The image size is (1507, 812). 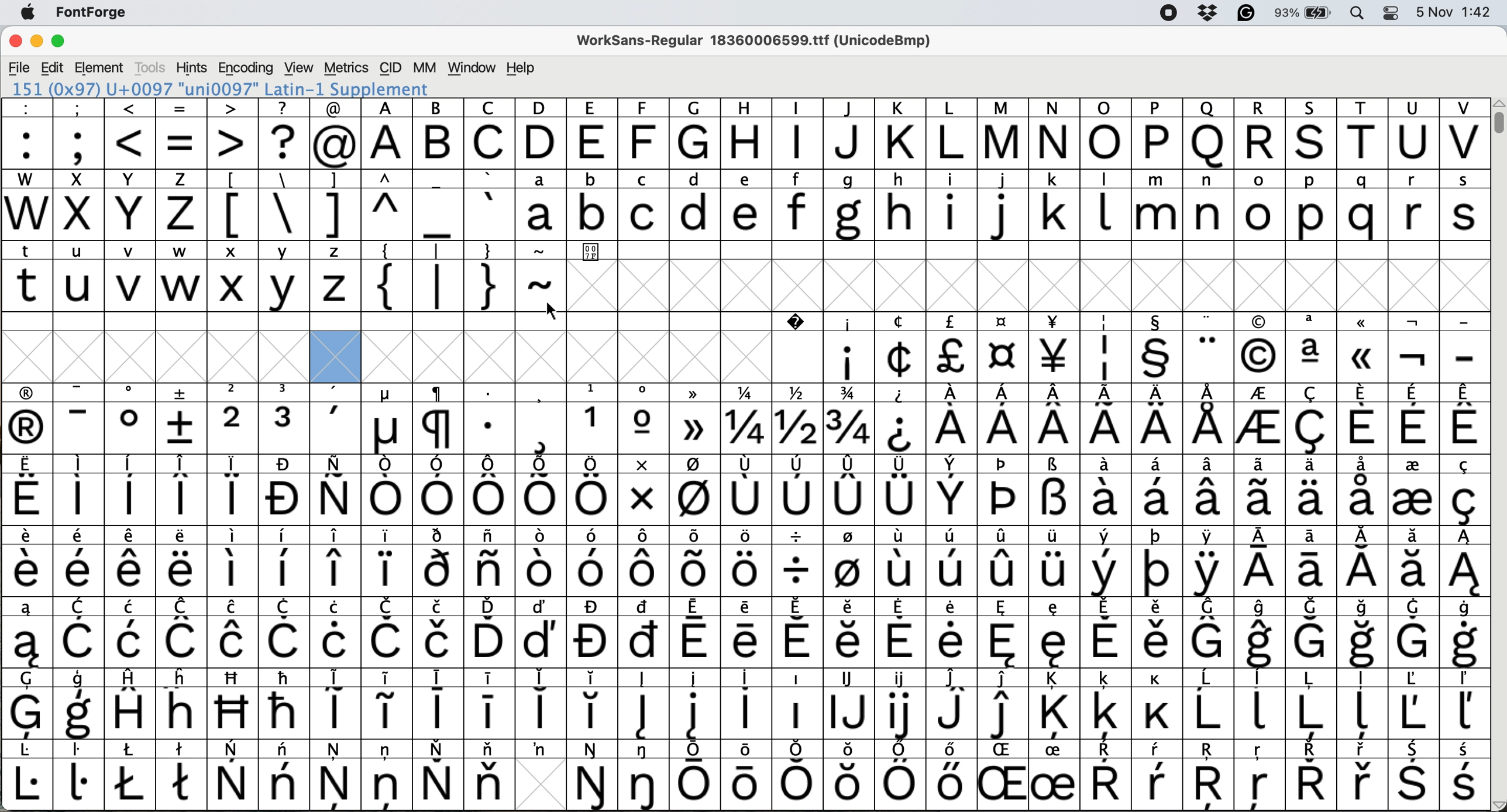 What do you see at coordinates (949, 774) in the screenshot?
I see `symbol` at bounding box center [949, 774].